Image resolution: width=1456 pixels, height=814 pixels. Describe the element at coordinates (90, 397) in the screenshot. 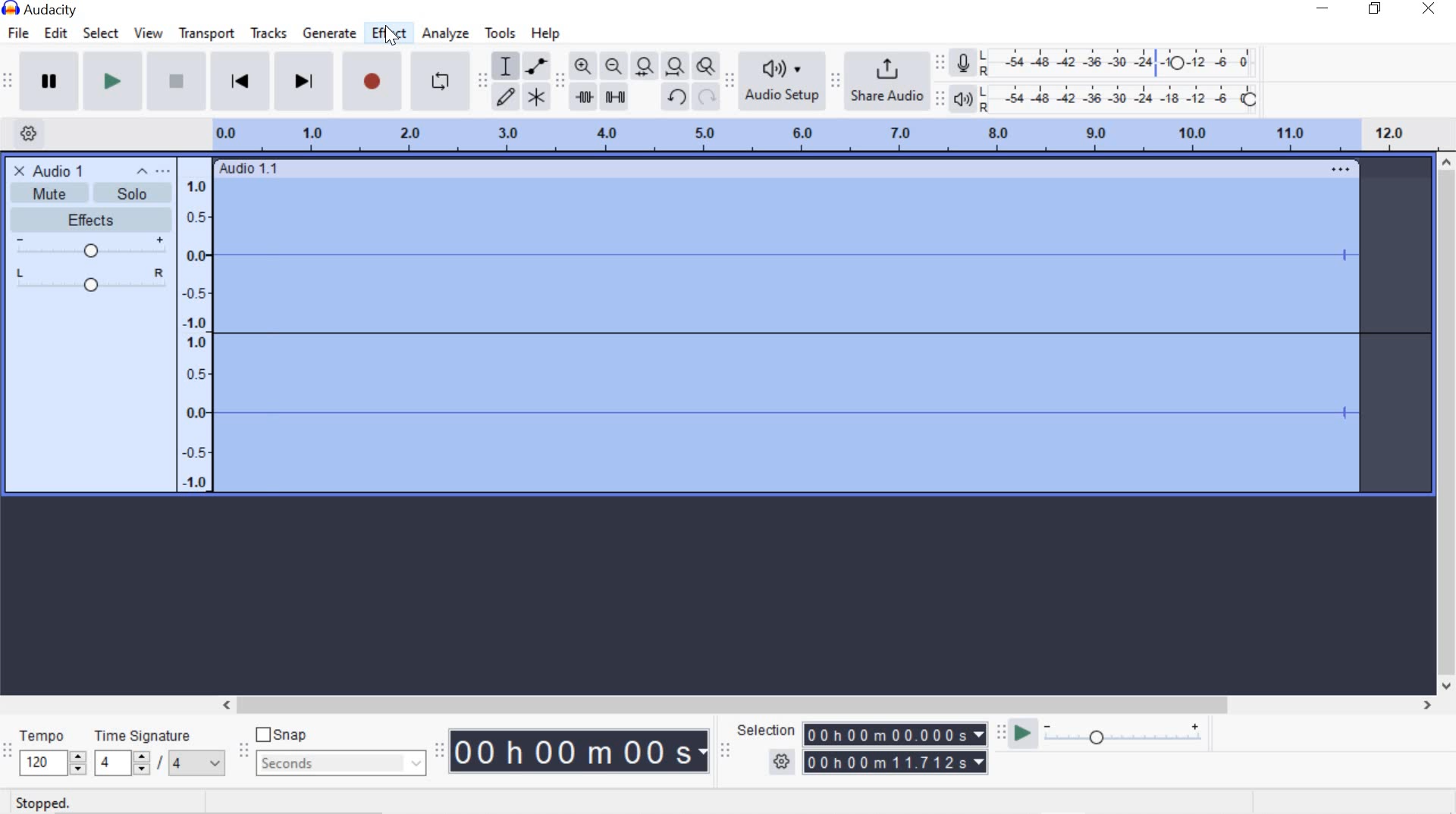

I see `Select or Deselect Track` at that location.